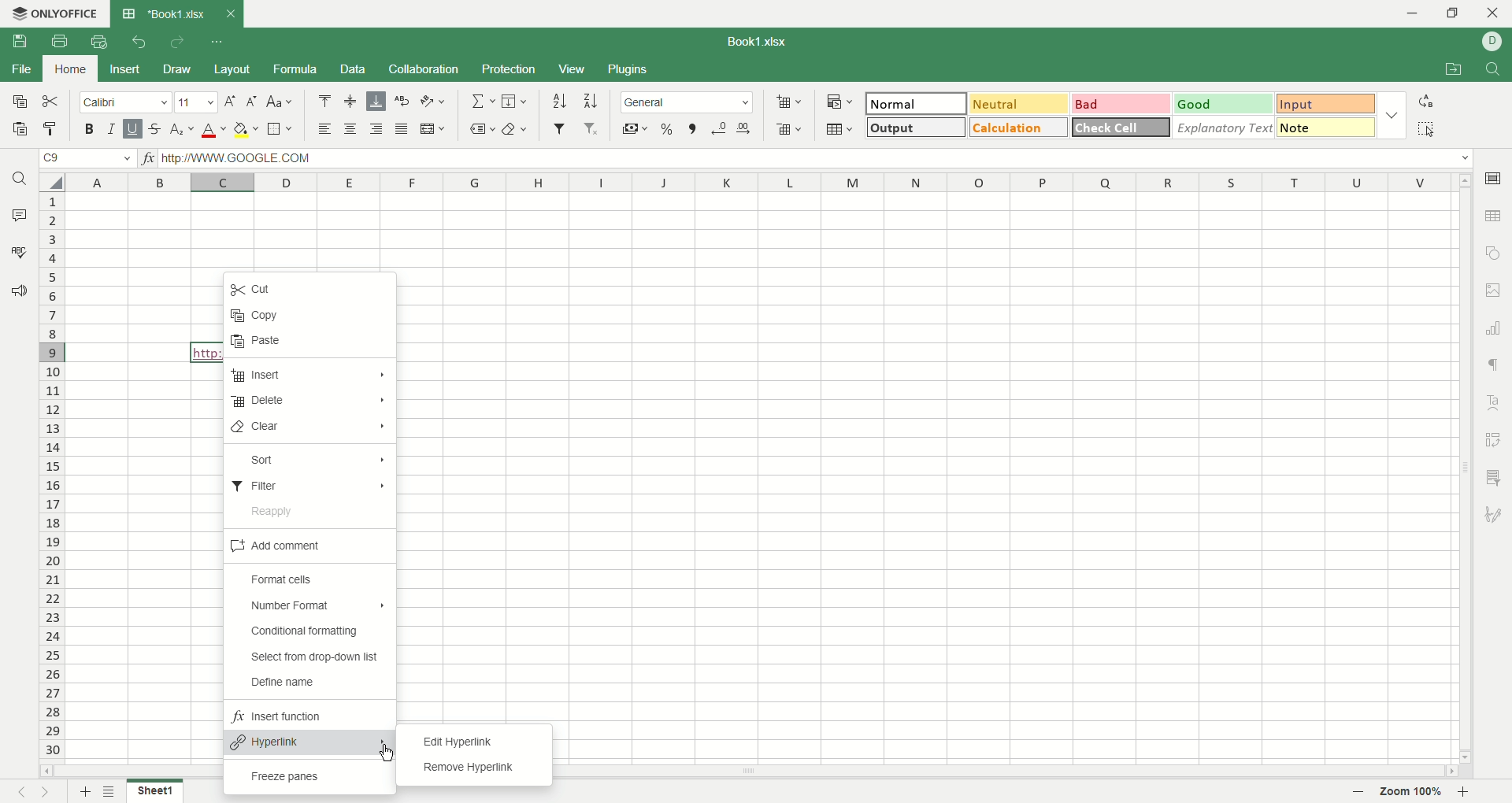 The width and height of the screenshot is (1512, 803). Describe the element at coordinates (52, 130) in the screenshot. I see `copy style` at that location.